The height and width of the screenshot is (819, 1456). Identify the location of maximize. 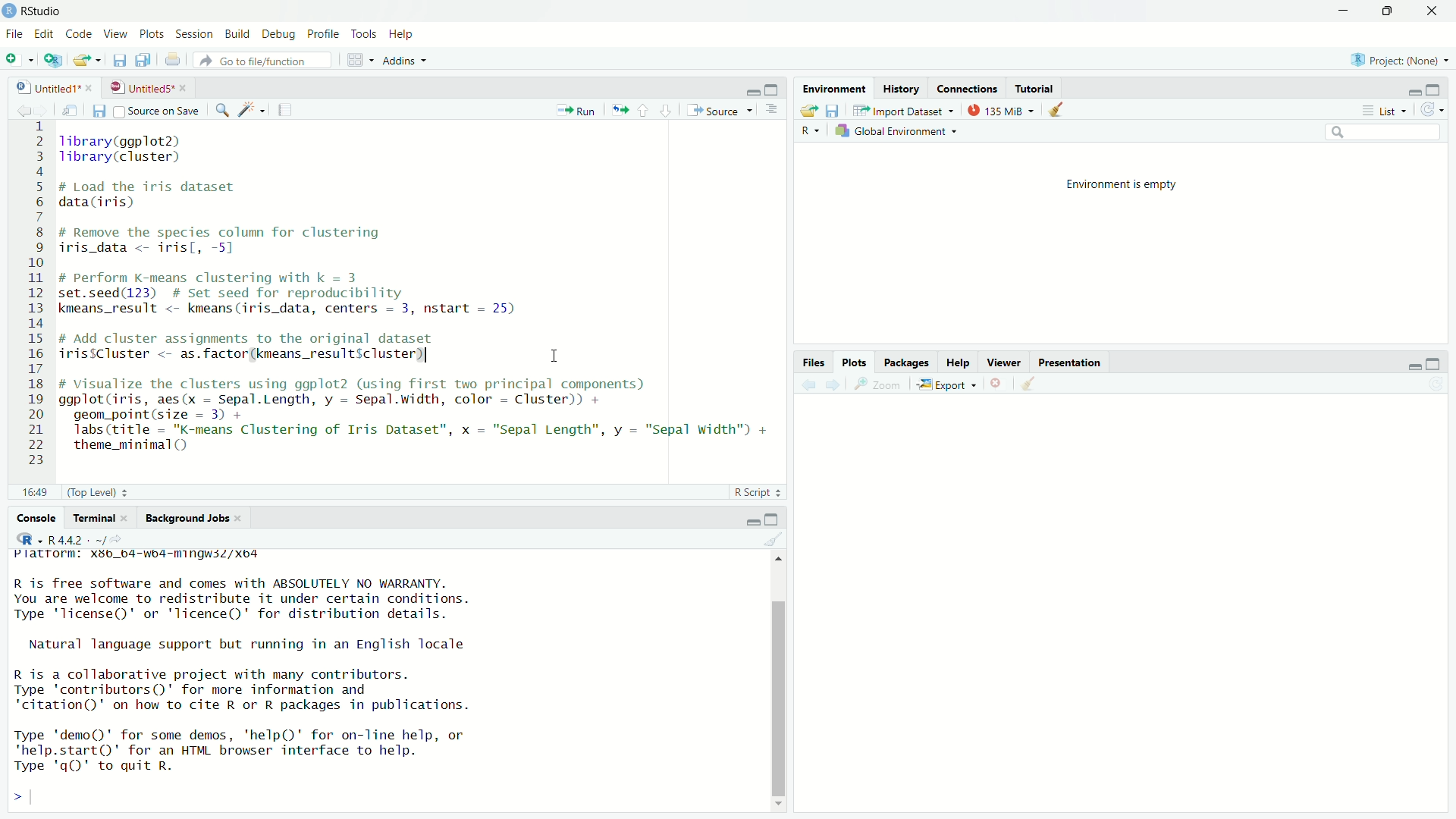
(1442, 362).